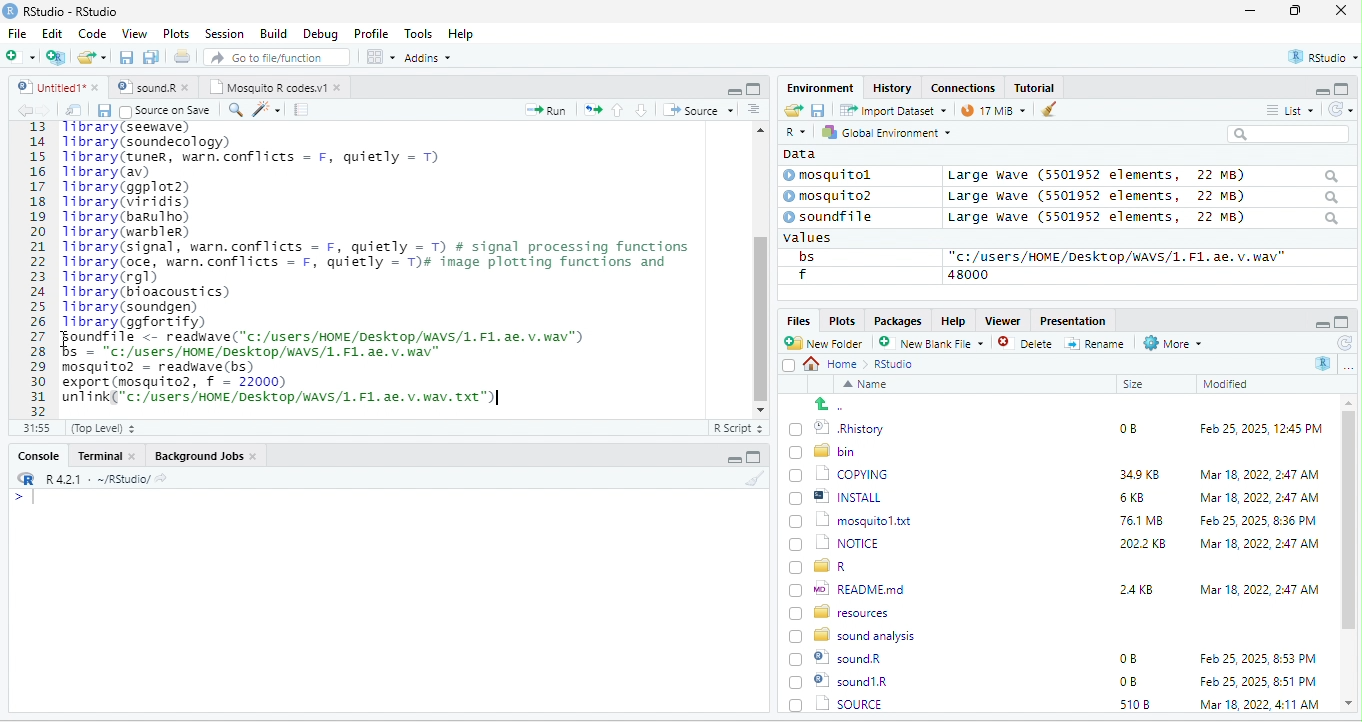 The image size is (1362, 722). Describe the element at coordinates (839, 496) in the screenshot. I see `| @] INSTALL` at that location.